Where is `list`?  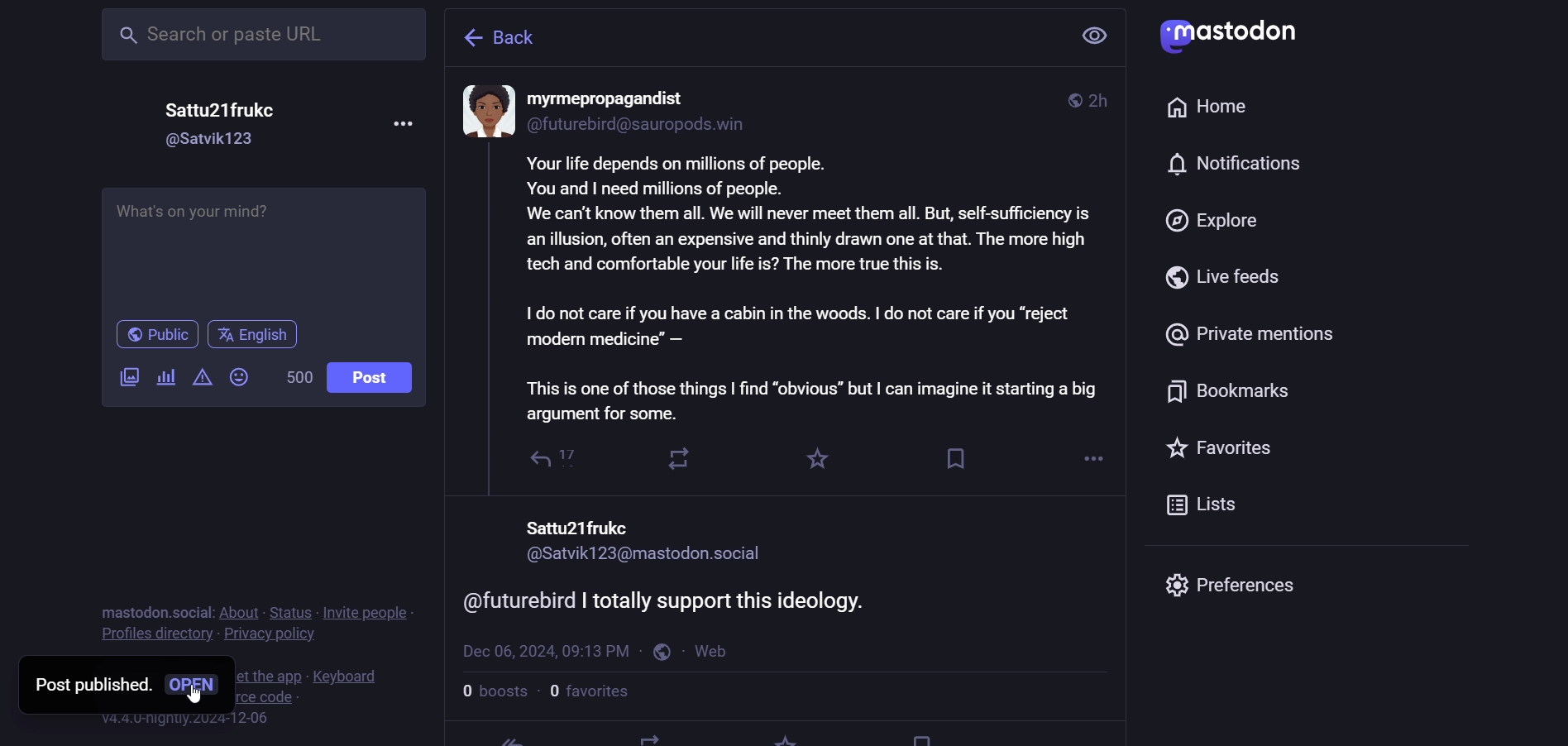 list is located at coordinates (1207, 505).